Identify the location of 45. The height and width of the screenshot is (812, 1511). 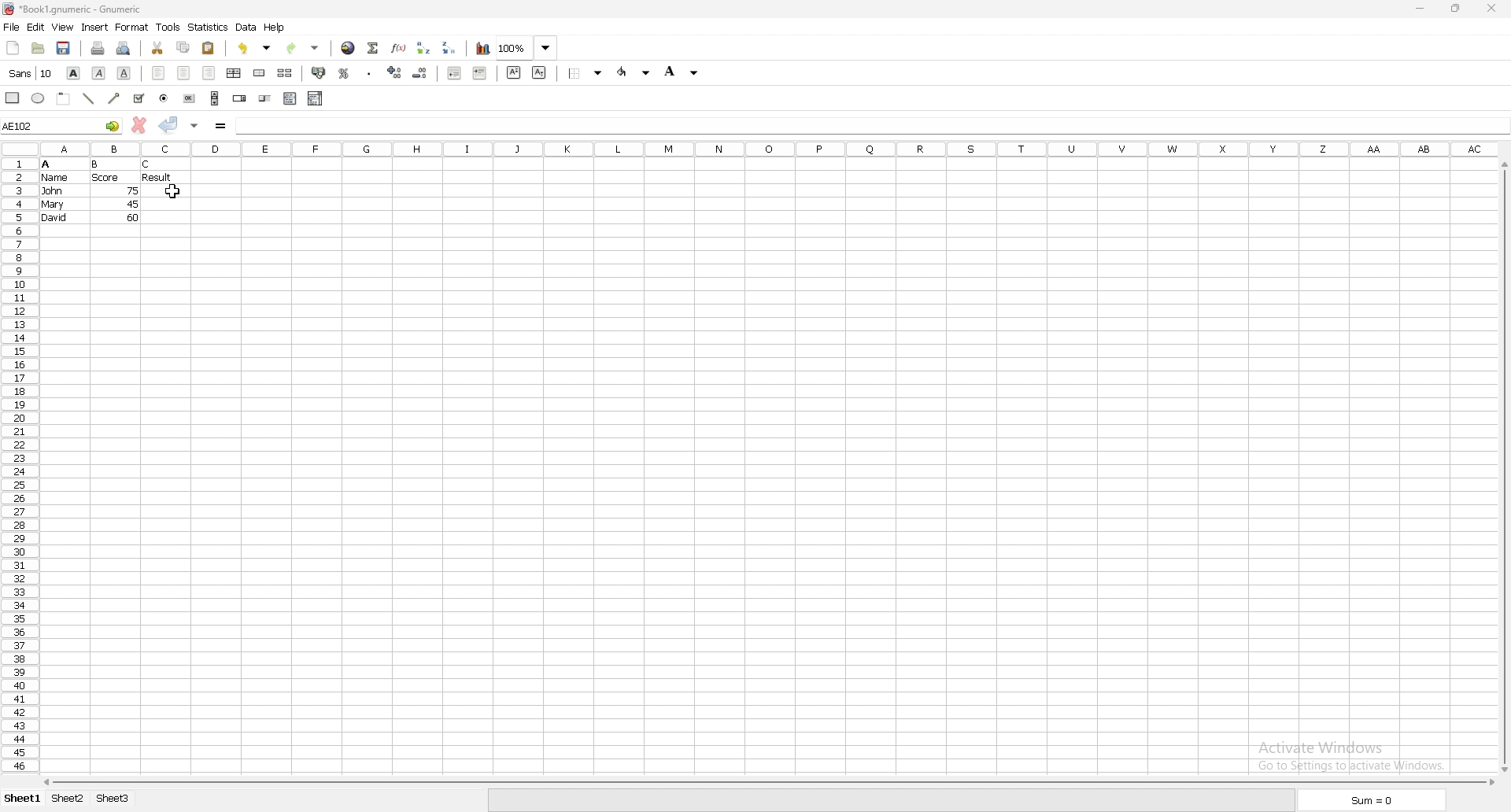
(132, 204).